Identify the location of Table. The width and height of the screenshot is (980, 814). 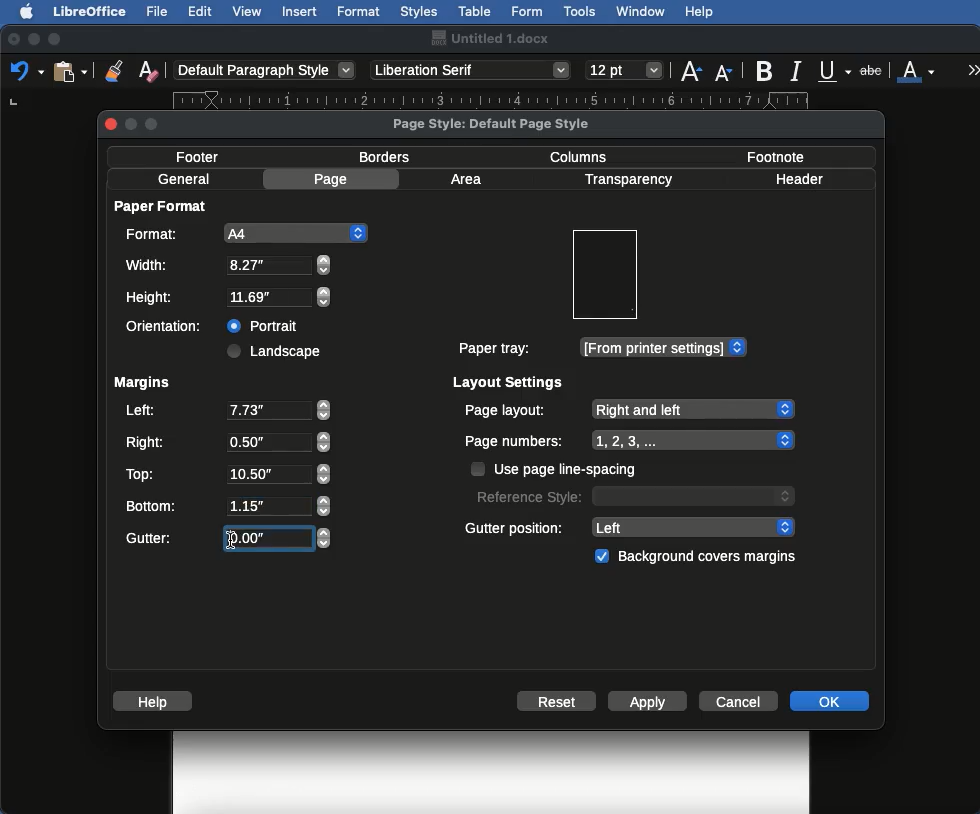
(475, 9).